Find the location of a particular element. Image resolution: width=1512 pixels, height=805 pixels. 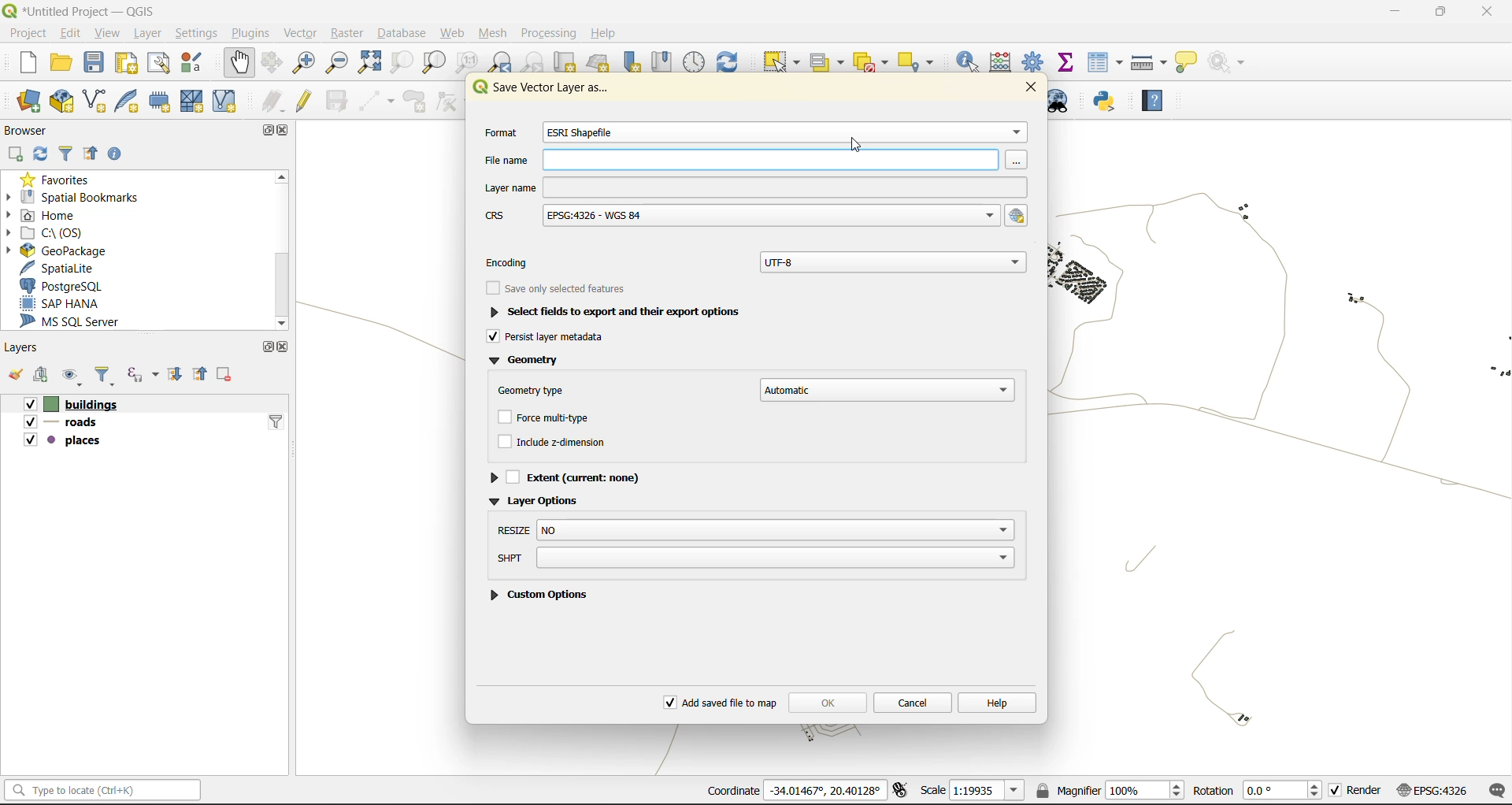

magnifier is located at coordinates (1109, 792).